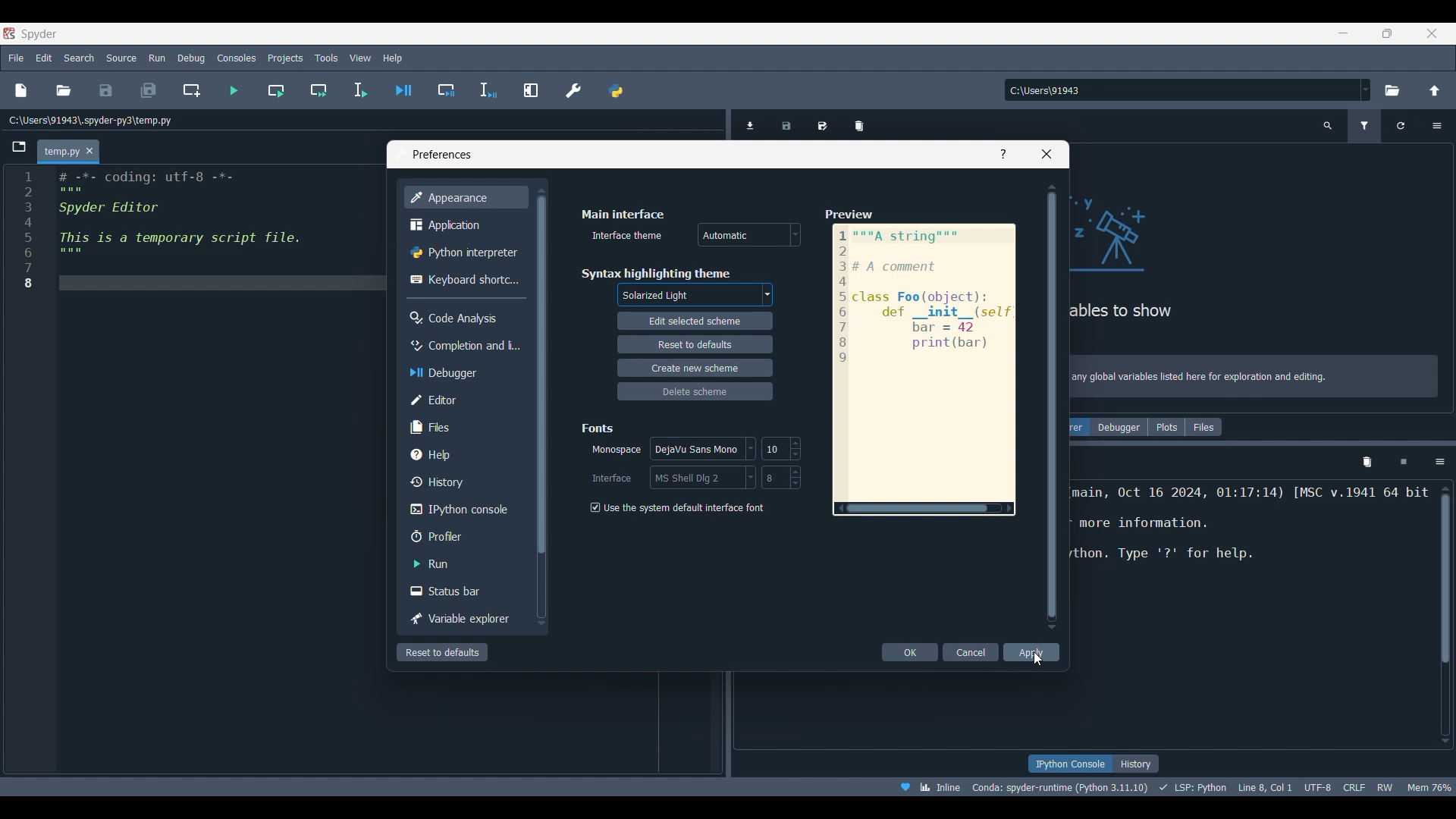 The width and height of the screenshot is (1456, 819). I want to click on Application, so click(463, 224).